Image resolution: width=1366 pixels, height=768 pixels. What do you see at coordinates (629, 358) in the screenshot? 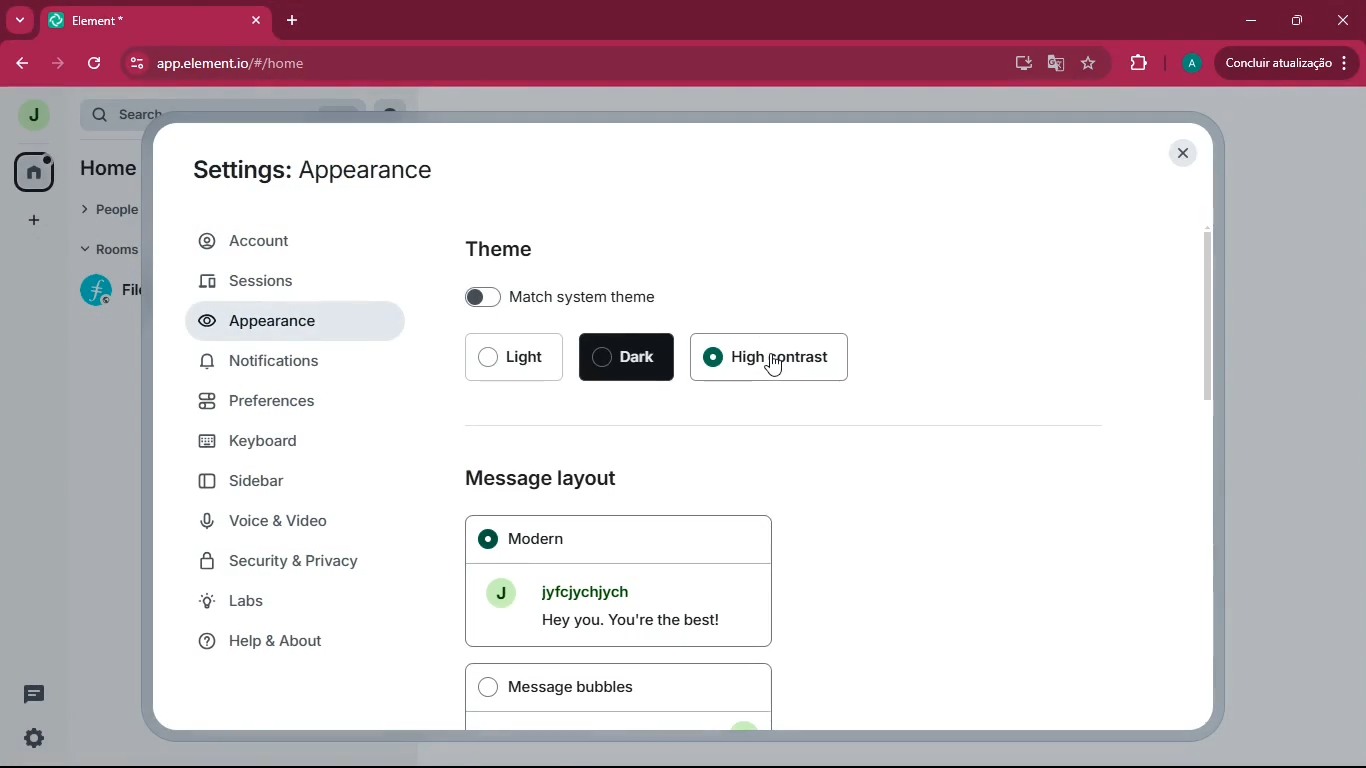
I see `dark` at bounding box center [629, 358].